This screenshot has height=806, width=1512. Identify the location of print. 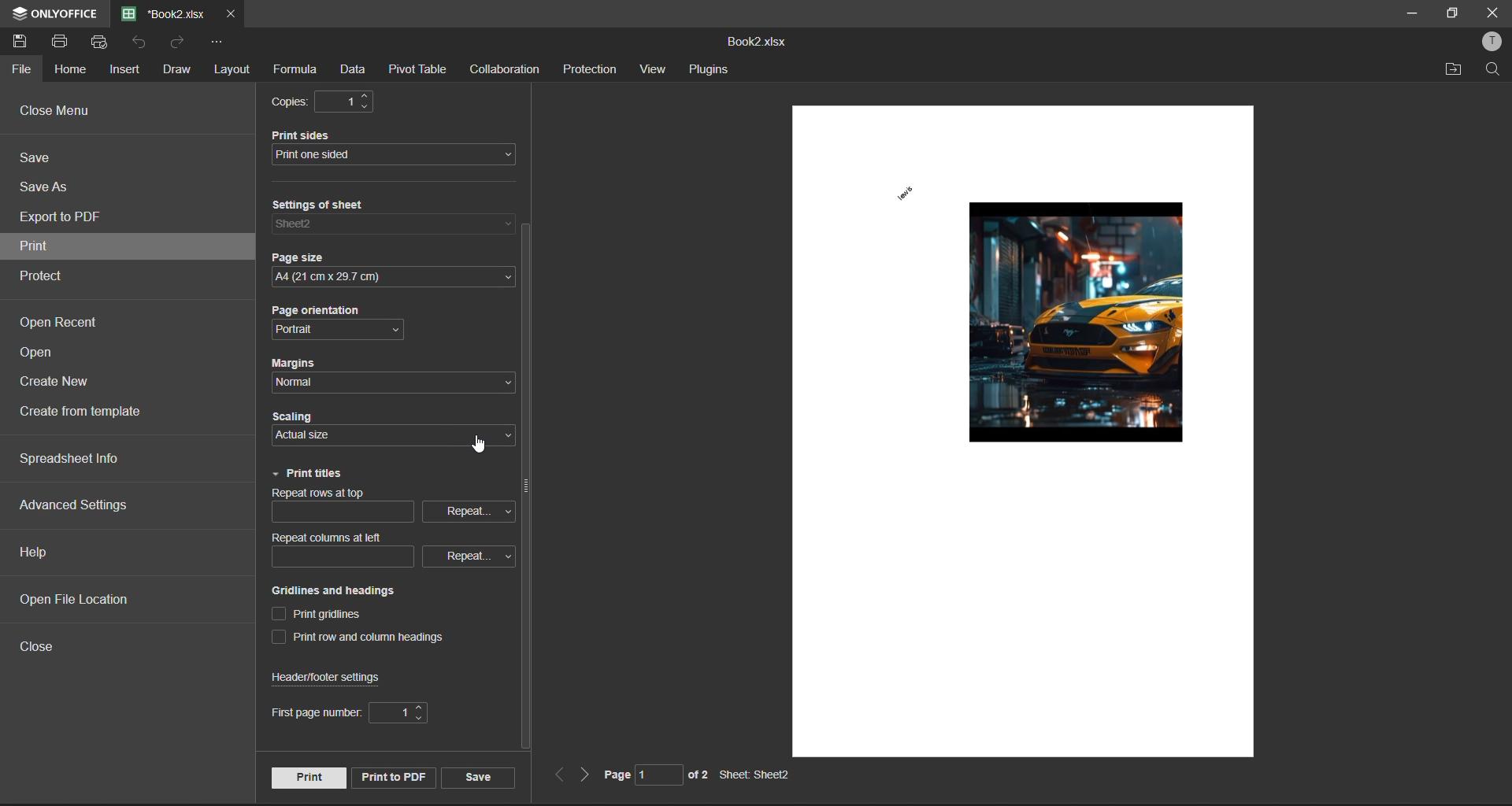
(307, 777).